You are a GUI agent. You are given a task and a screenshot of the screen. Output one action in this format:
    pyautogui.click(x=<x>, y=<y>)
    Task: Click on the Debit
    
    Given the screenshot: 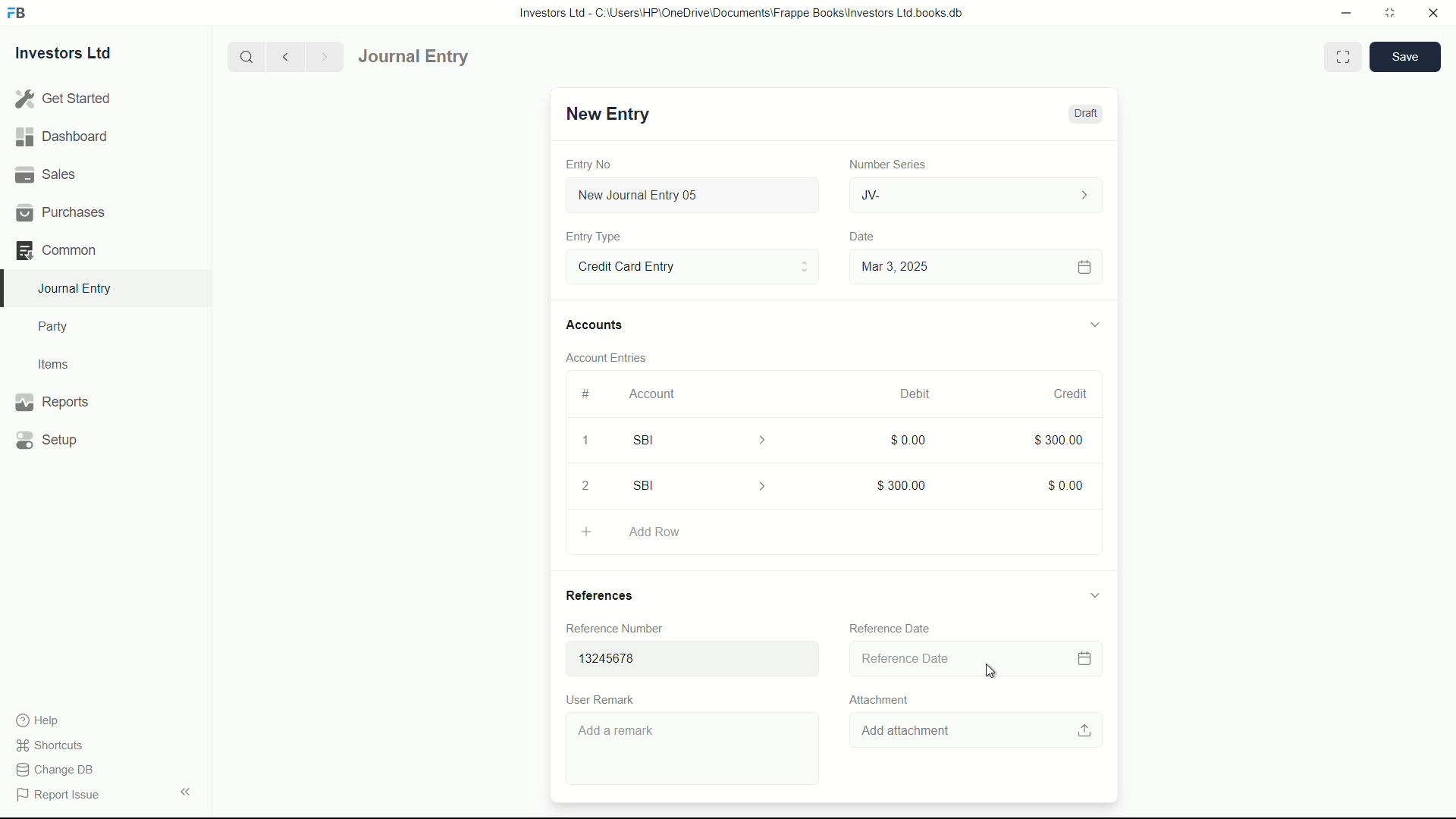 What is the action you would take?
    pyautogui.click(x=908, y=394)
    